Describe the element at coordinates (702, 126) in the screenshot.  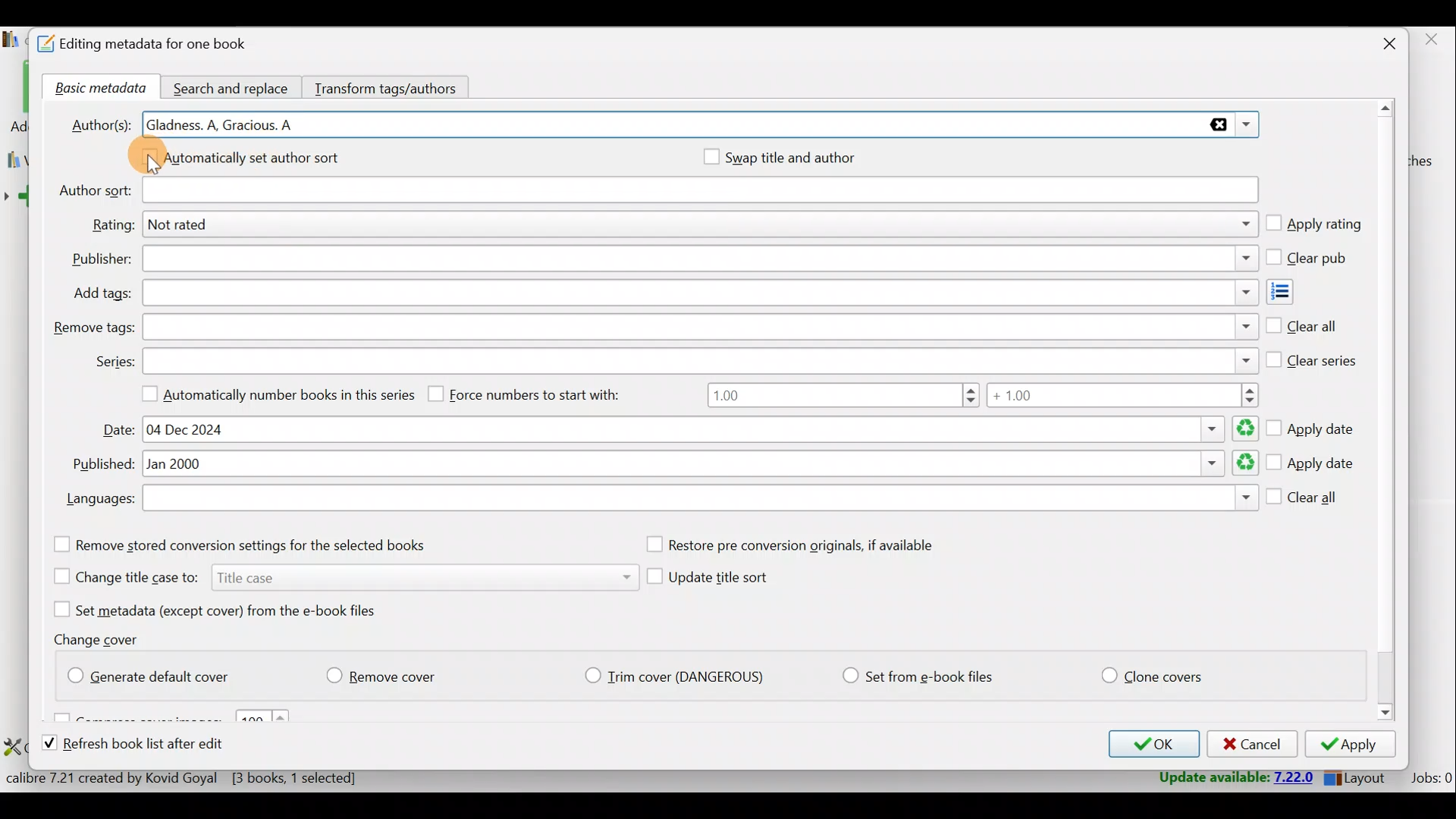
I see `Authors` at that location.